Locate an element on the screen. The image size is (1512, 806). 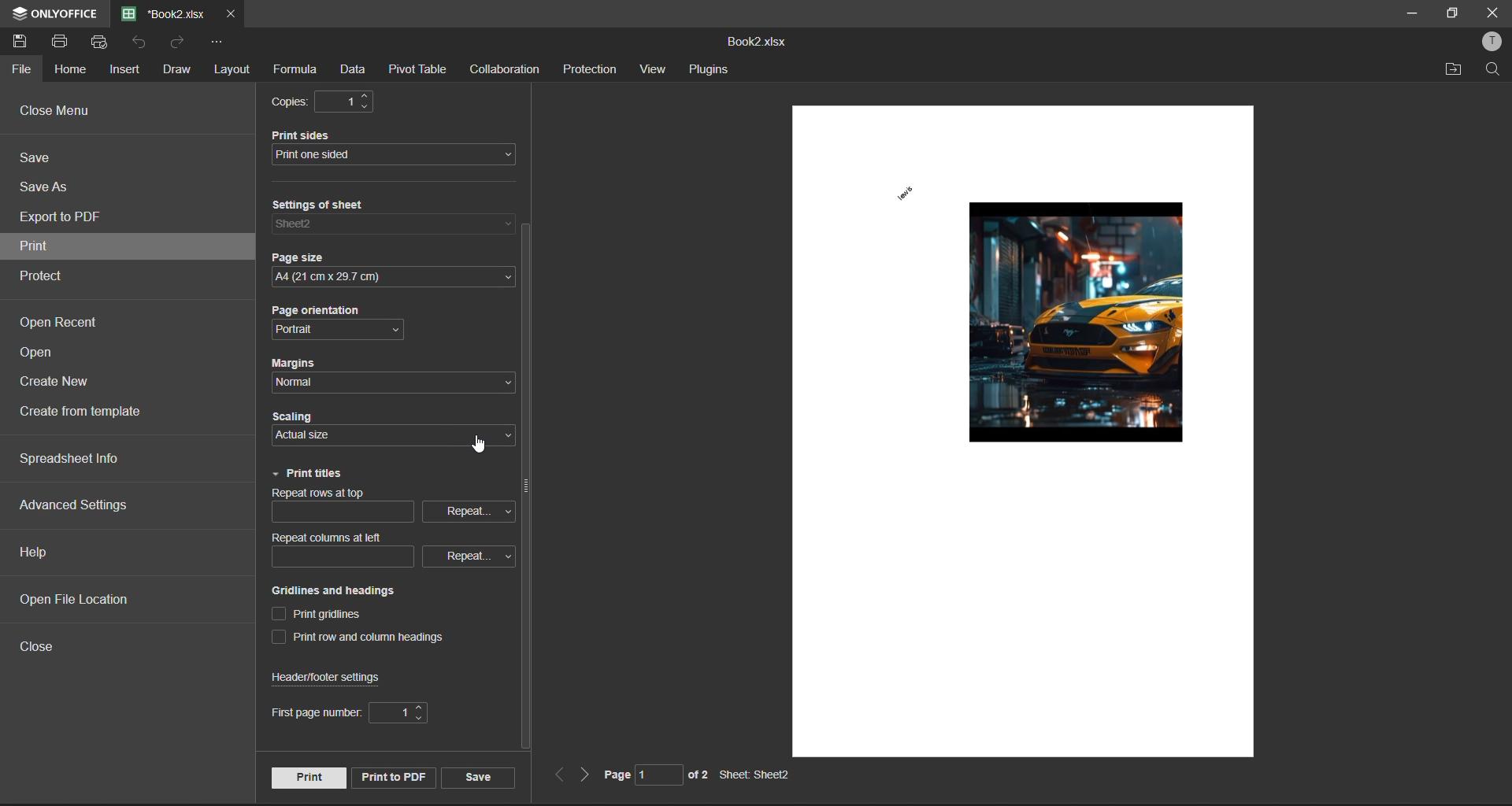
collaboration is located at coordinates (505, 70).